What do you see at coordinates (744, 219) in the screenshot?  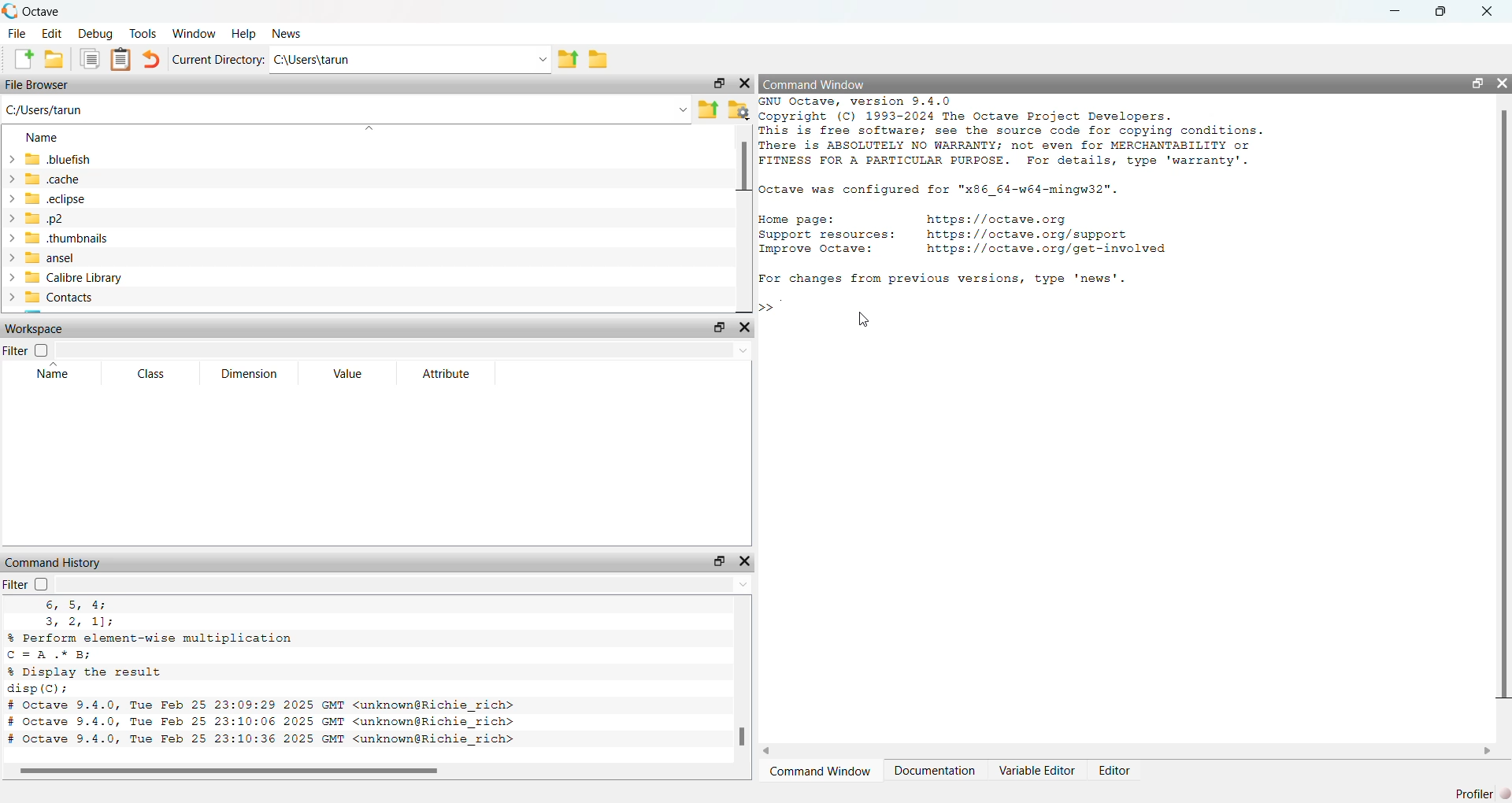 I see `Scroll` at bounding box center [744, 219].